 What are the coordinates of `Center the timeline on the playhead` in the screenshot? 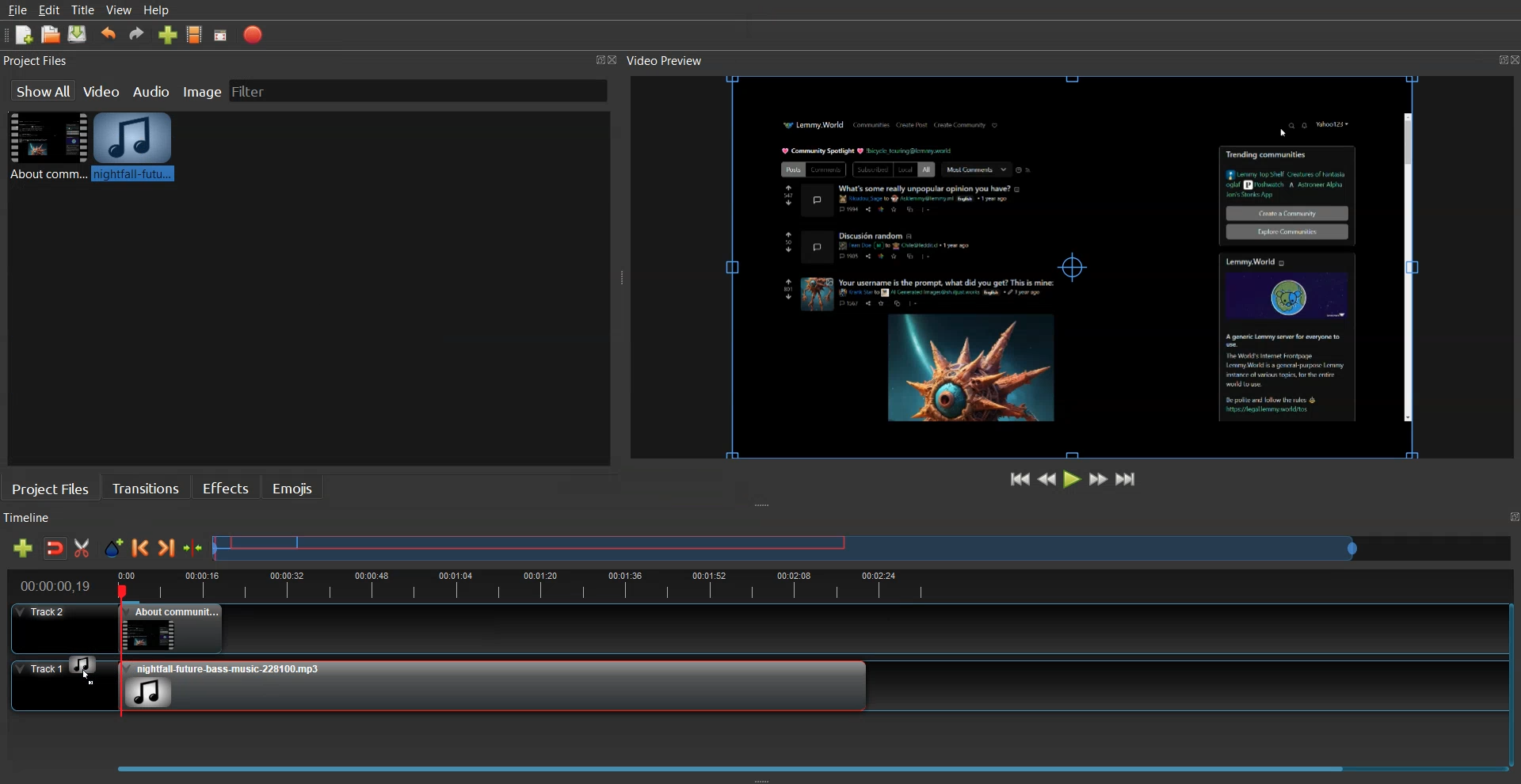 It's located at (194, 548).